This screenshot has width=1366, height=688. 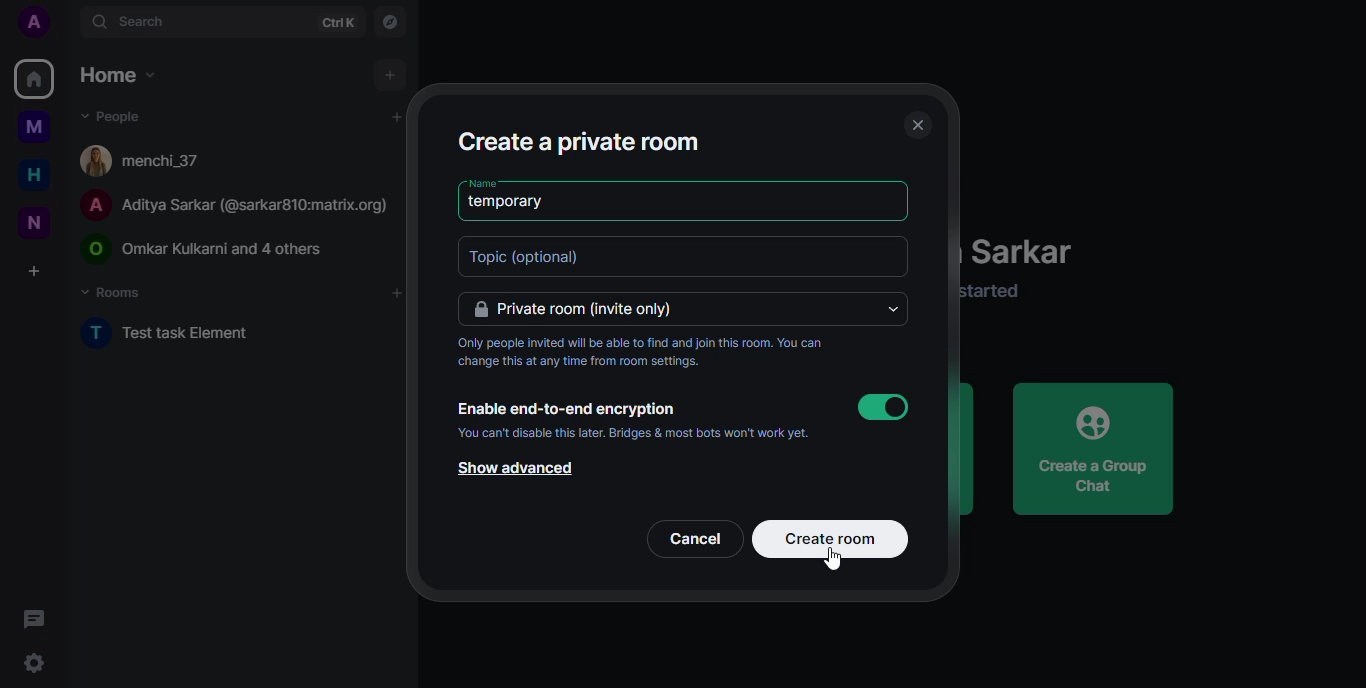 What do you see at coordinates (637, 435) in the screenshot?
I see `You can't disable this later. Bridges & most bots won't work yet.` at bounding box center [637, 435].